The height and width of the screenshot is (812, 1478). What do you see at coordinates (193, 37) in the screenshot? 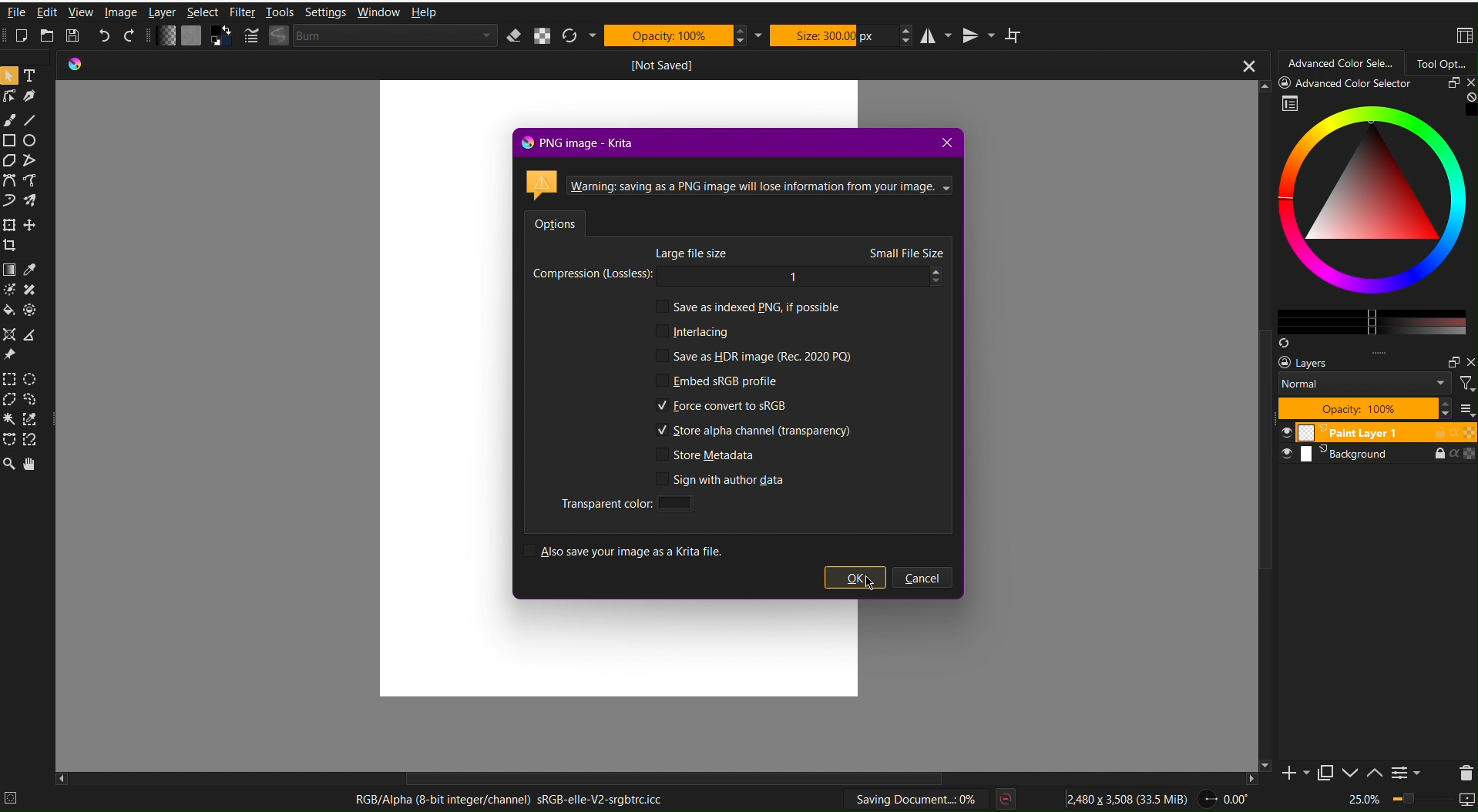
I see `Color Settings` at bounding box center [193, 37].